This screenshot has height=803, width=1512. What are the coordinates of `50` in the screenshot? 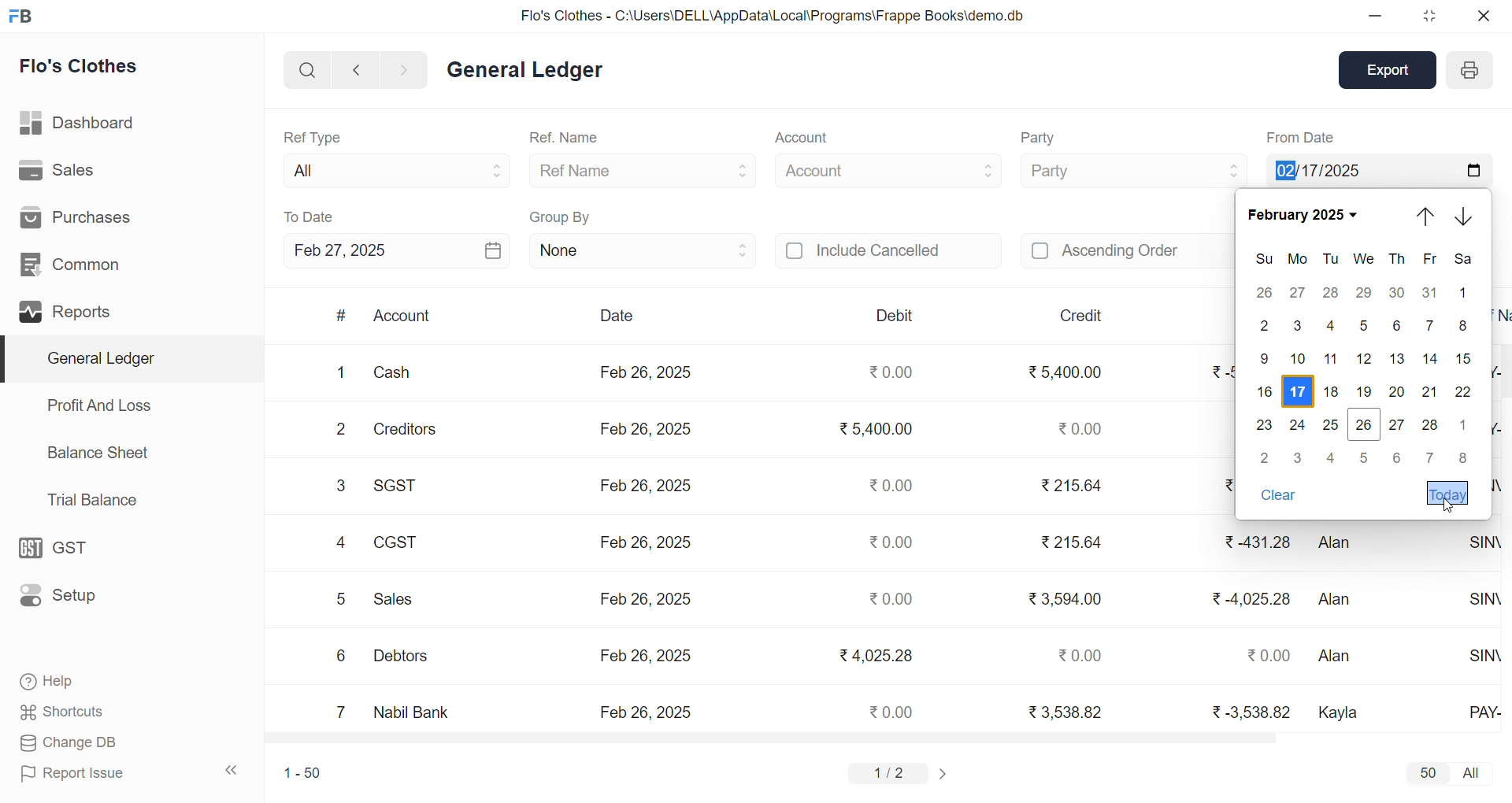 It's located at (1427, 772).